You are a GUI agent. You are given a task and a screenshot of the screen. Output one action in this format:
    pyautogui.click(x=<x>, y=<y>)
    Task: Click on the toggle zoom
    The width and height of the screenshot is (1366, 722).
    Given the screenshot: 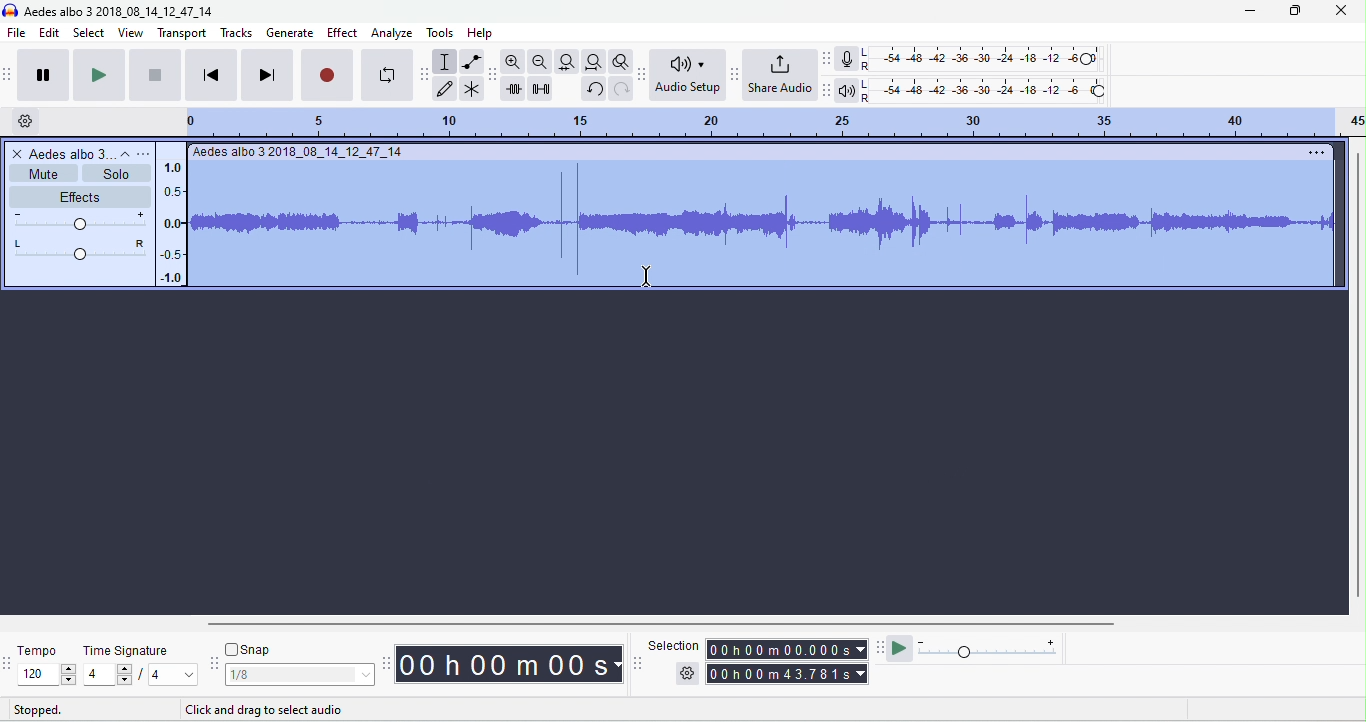 What is the action you would take?
    pyautogui.click(x=621, y=62)
    